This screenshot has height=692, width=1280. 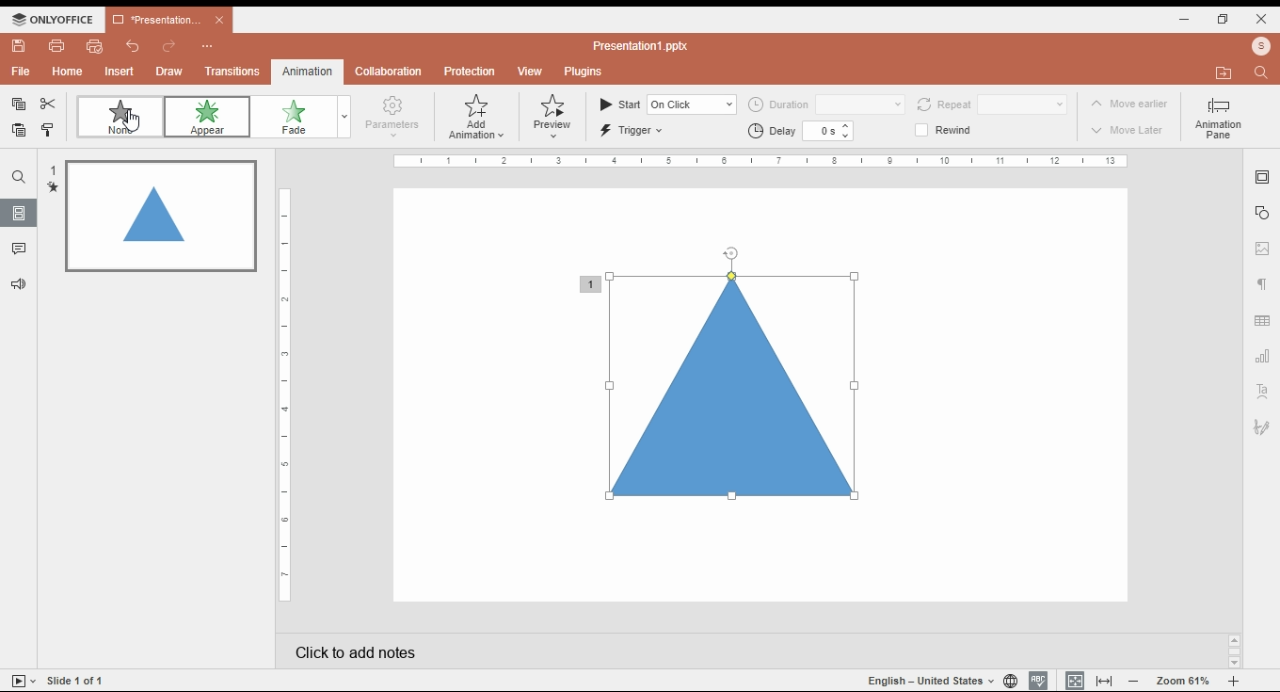 I want to click on print file, so click(x=58, y=45).